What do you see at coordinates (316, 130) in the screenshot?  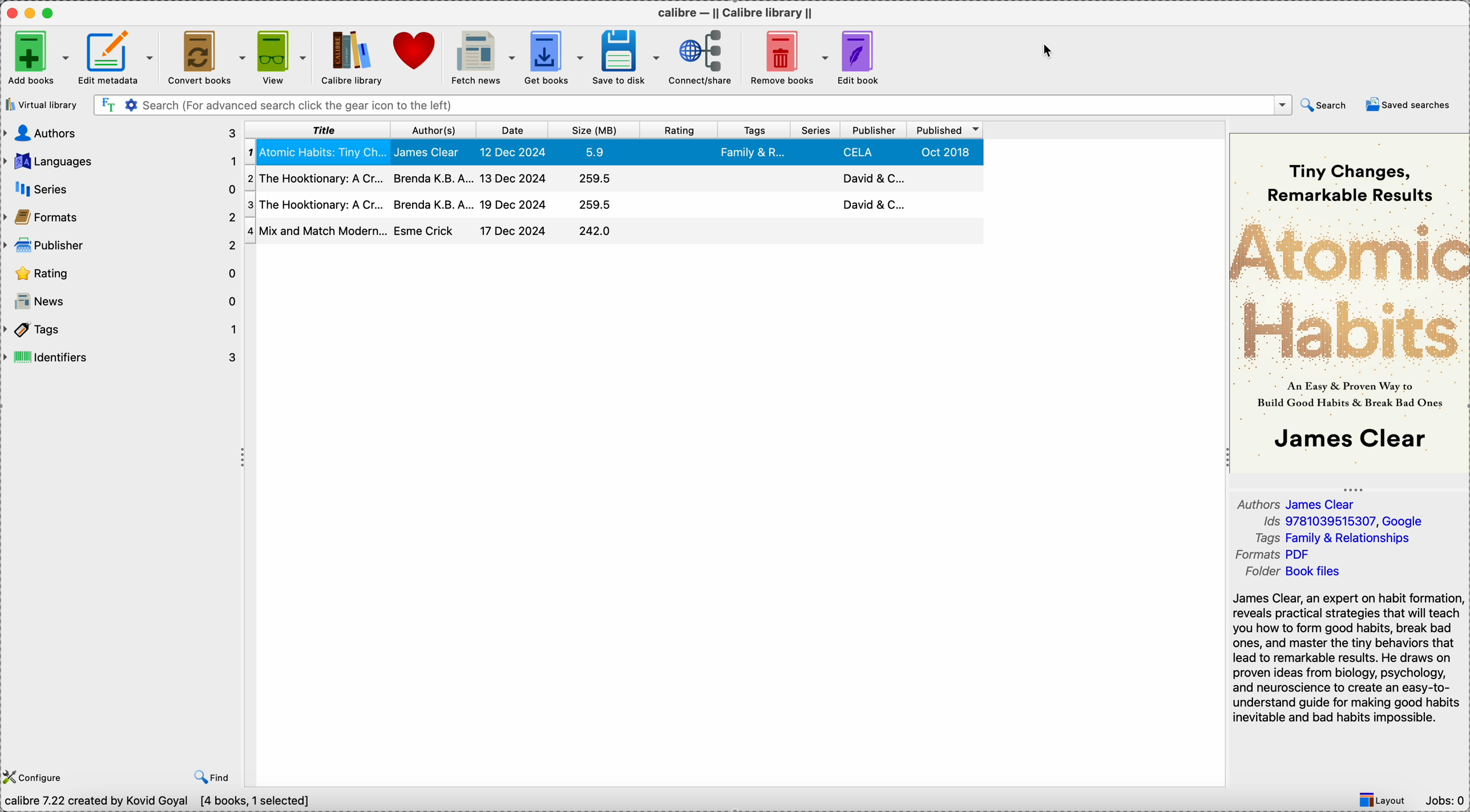 I see `title` at bounding box center [316, 130].